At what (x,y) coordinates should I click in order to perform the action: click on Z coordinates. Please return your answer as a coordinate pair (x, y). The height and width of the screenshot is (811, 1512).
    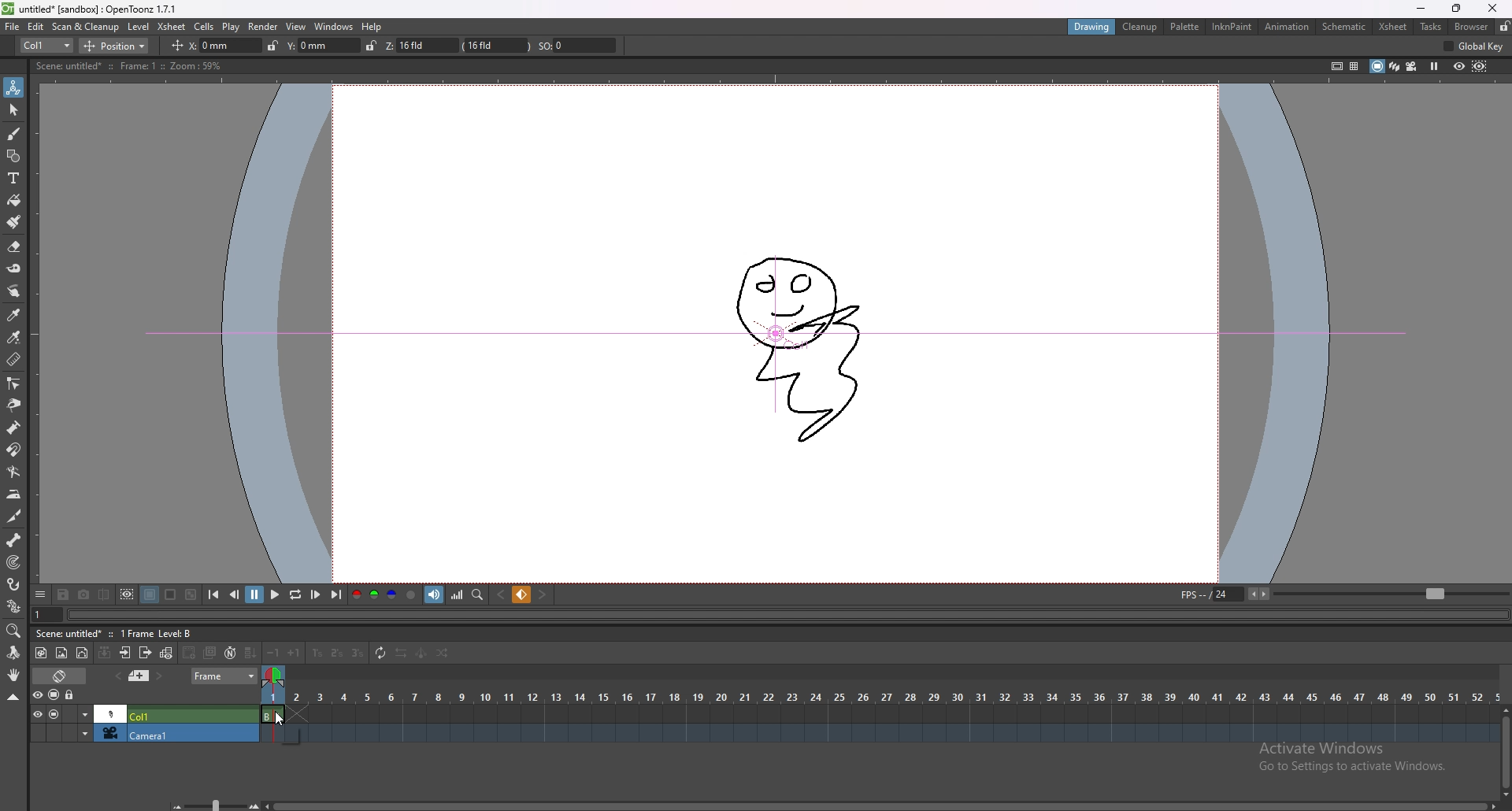
    Looking at the image, I should click on (473, 46).